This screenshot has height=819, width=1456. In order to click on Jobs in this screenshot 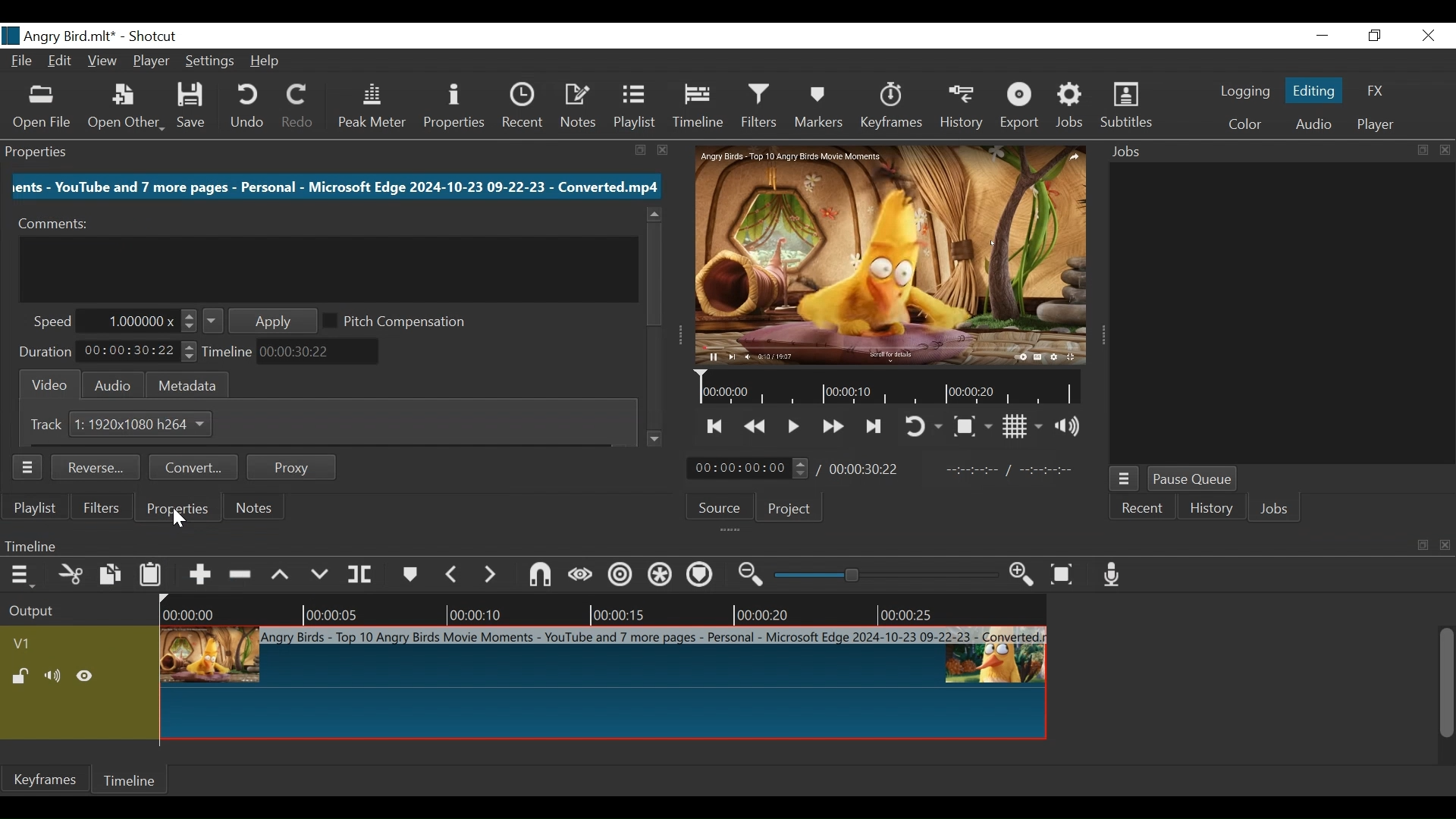, I will do `click(1272, 508)`.